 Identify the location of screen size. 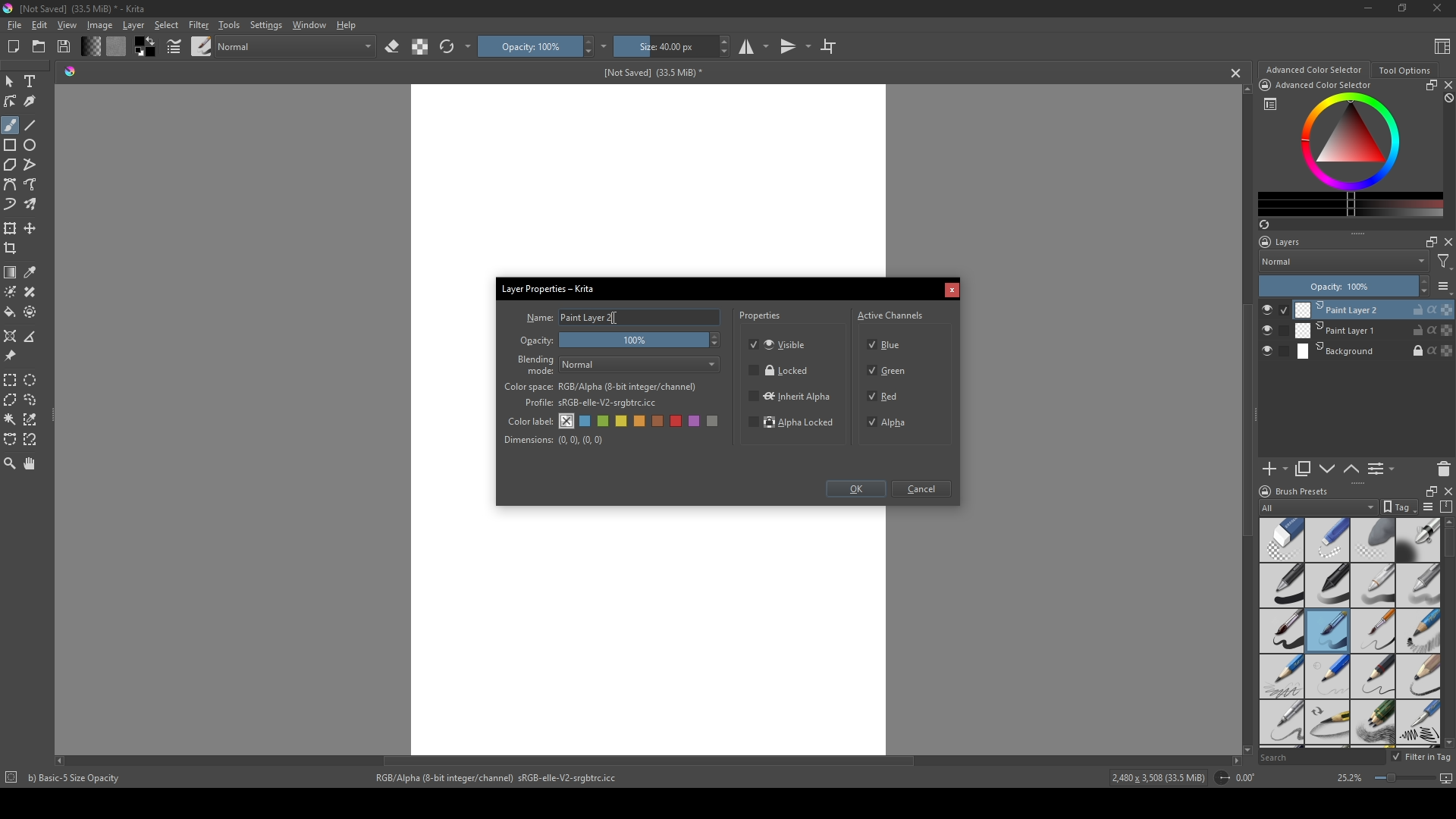
(1410, 780).